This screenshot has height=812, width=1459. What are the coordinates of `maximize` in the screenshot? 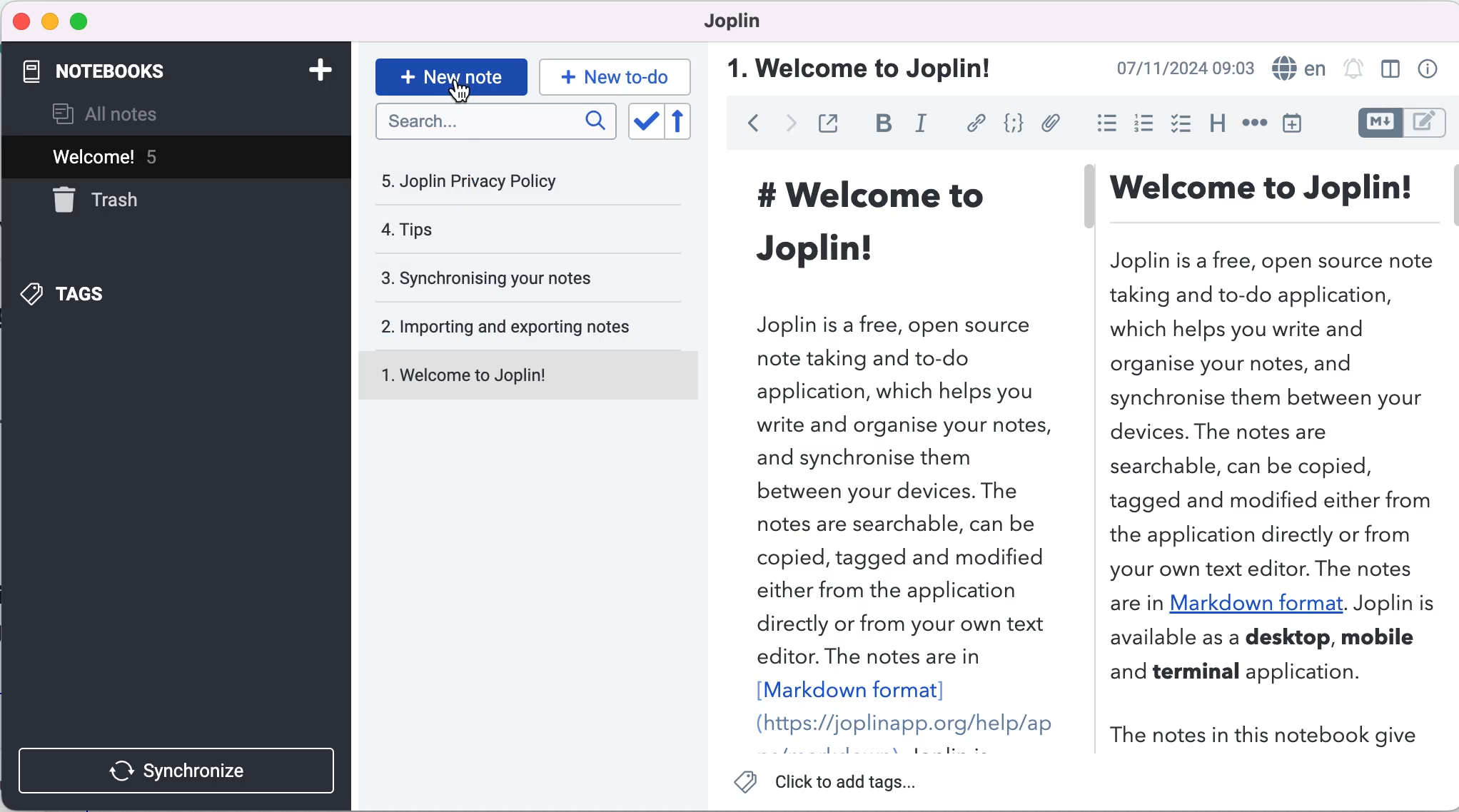 It's located at (86, 20).